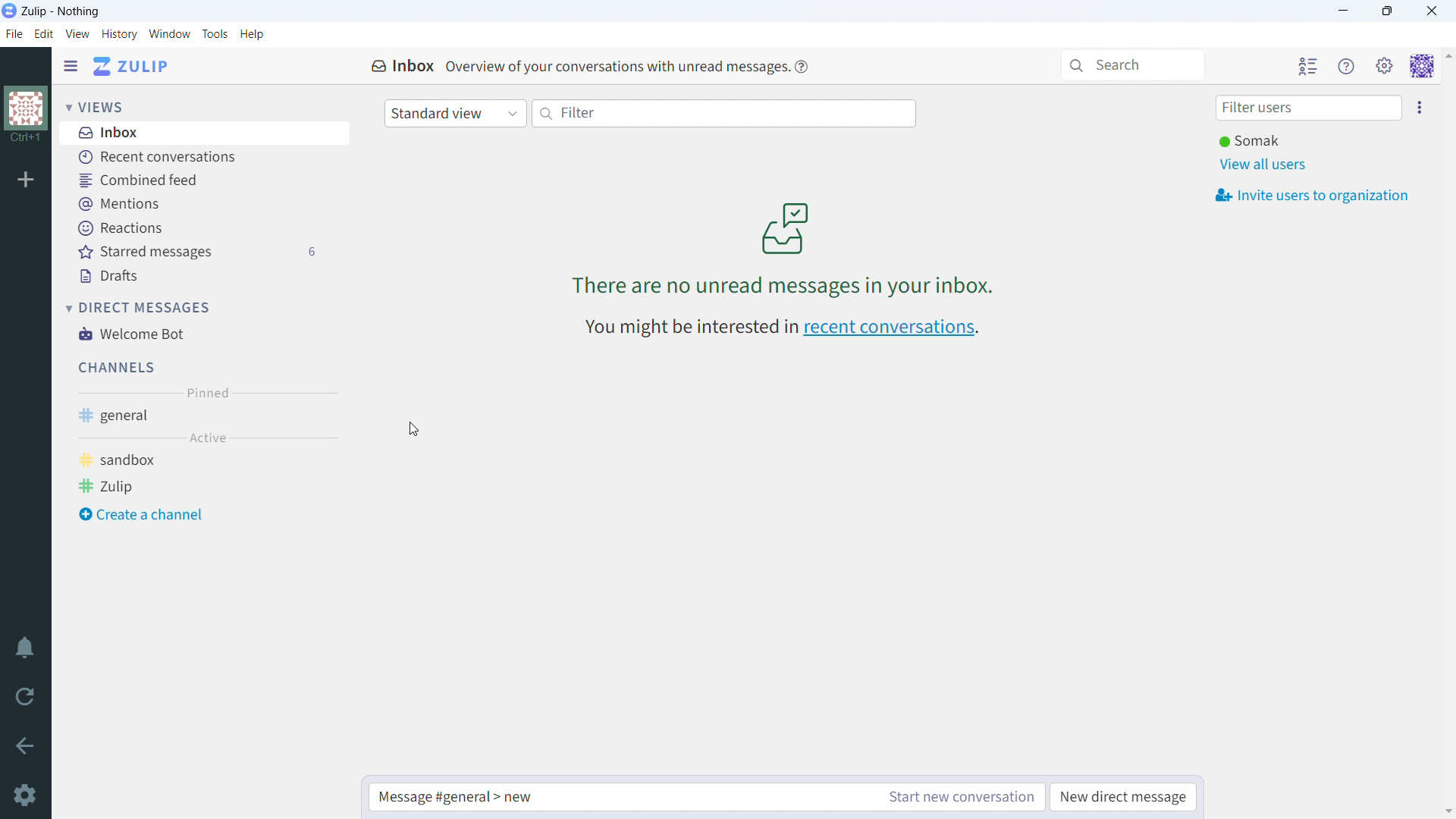 Image resolution: width=1456 pixels, height=819 pixels. Describe the element at coordinates (1262, 165) in the screenshot. I see `view all users` at that location.